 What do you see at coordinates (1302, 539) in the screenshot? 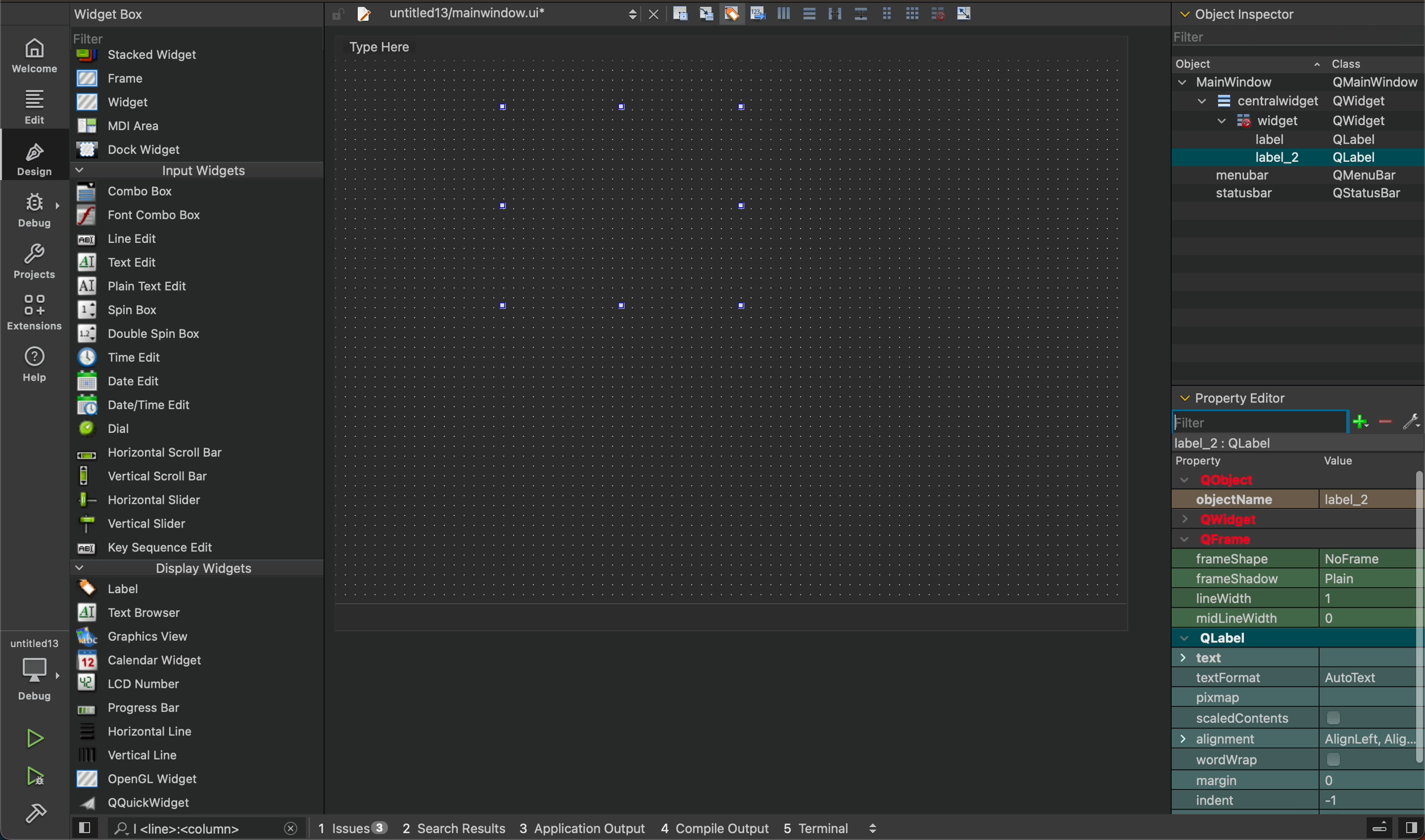
I see `` at bounding box center [1302, 539].